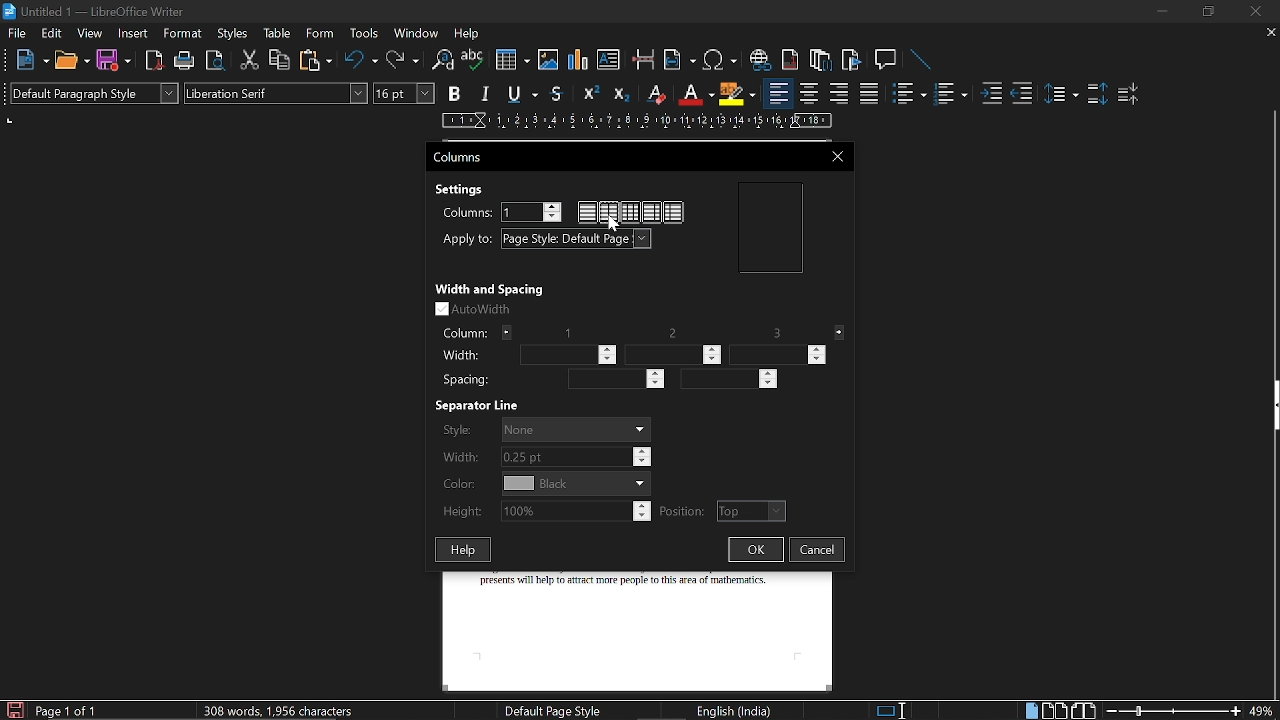  I want to click on Center, so click(810, 94).